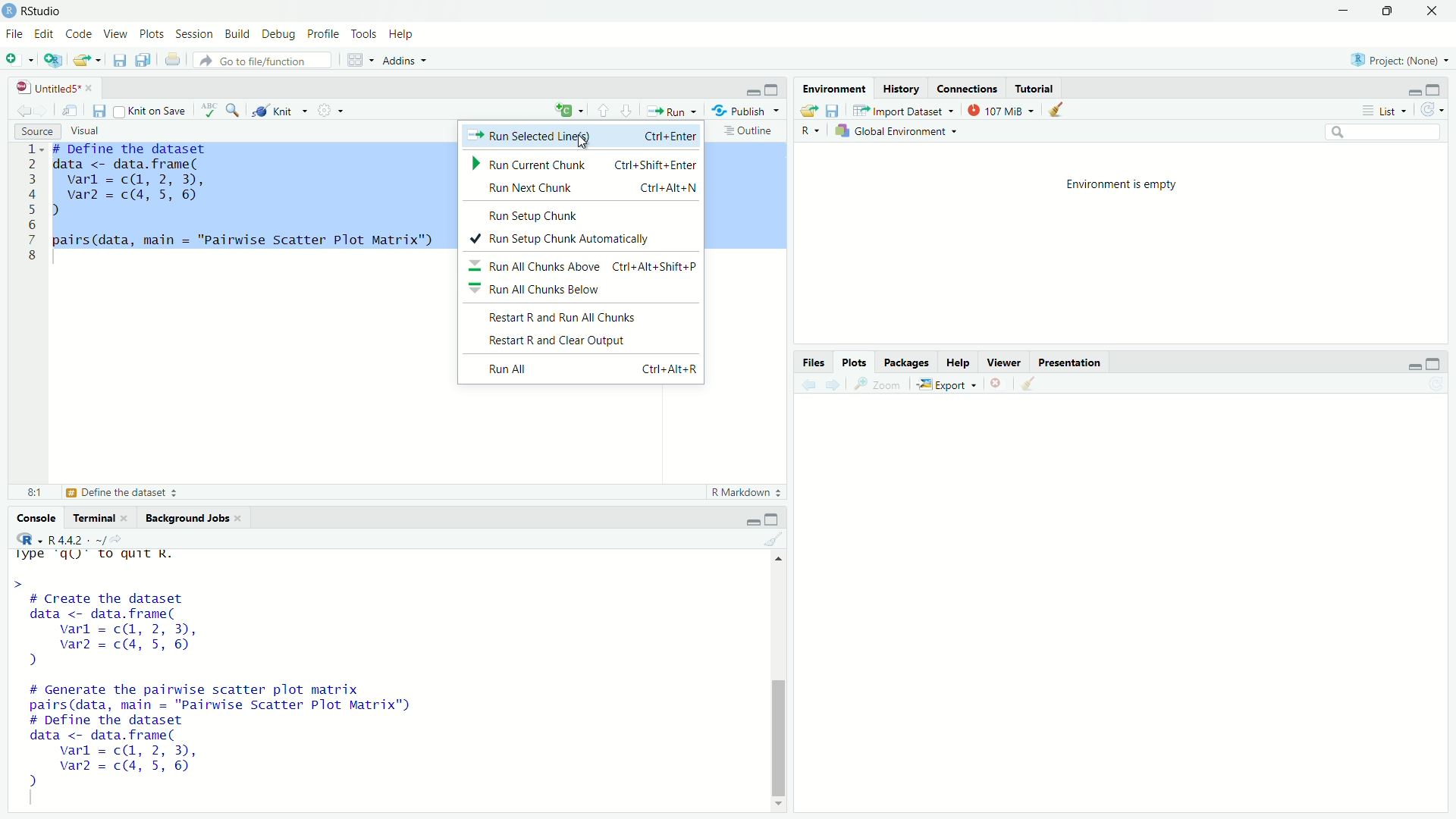 Image resolution: width=1456 pixels, height=819 pixels. I want to click on Minimize, so click(1415, 93).